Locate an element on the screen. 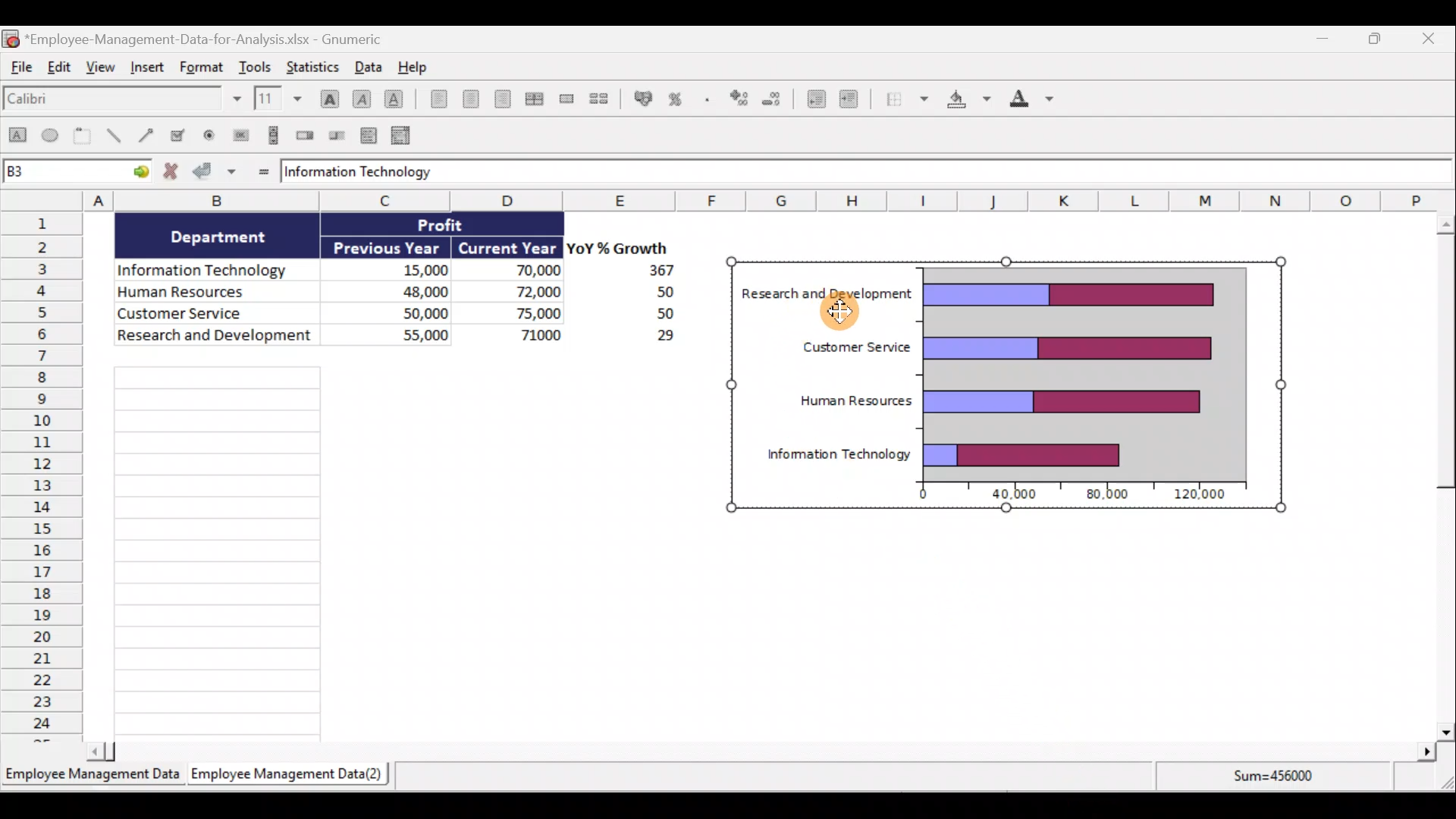  Accept change is located at coordinates (215, 170).